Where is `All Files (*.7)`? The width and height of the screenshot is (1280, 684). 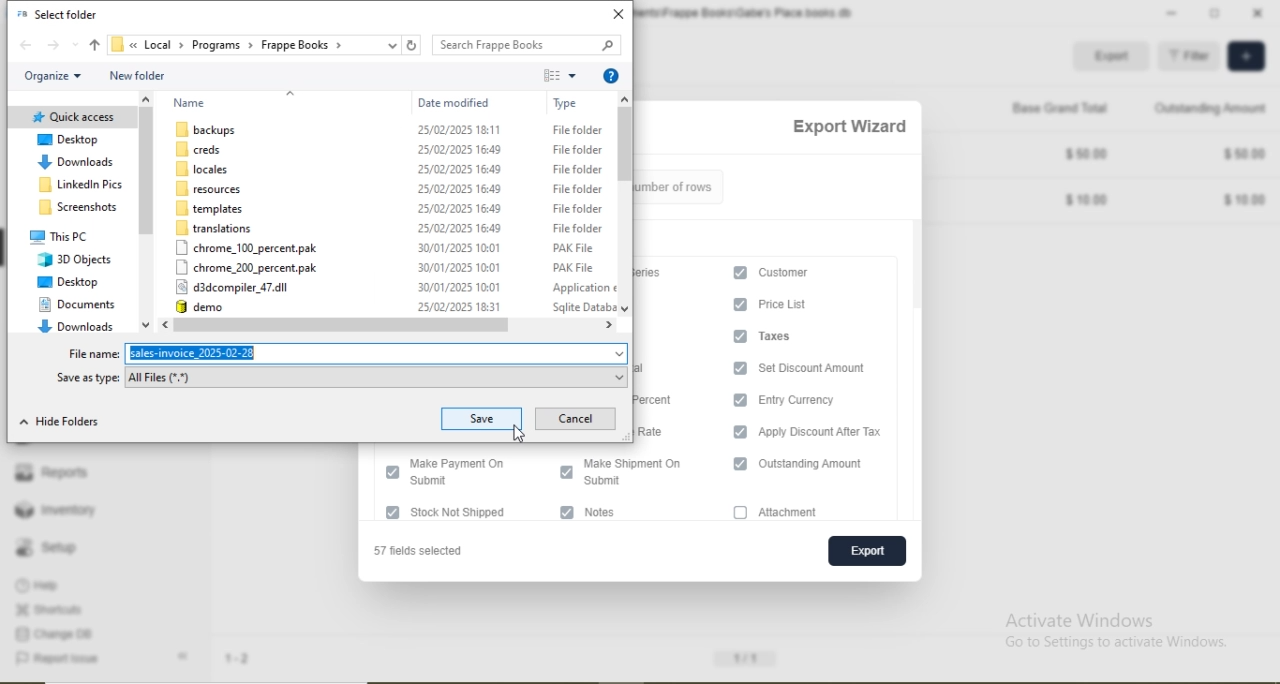 All Files (*.7) is located at coordinates (168, 378).